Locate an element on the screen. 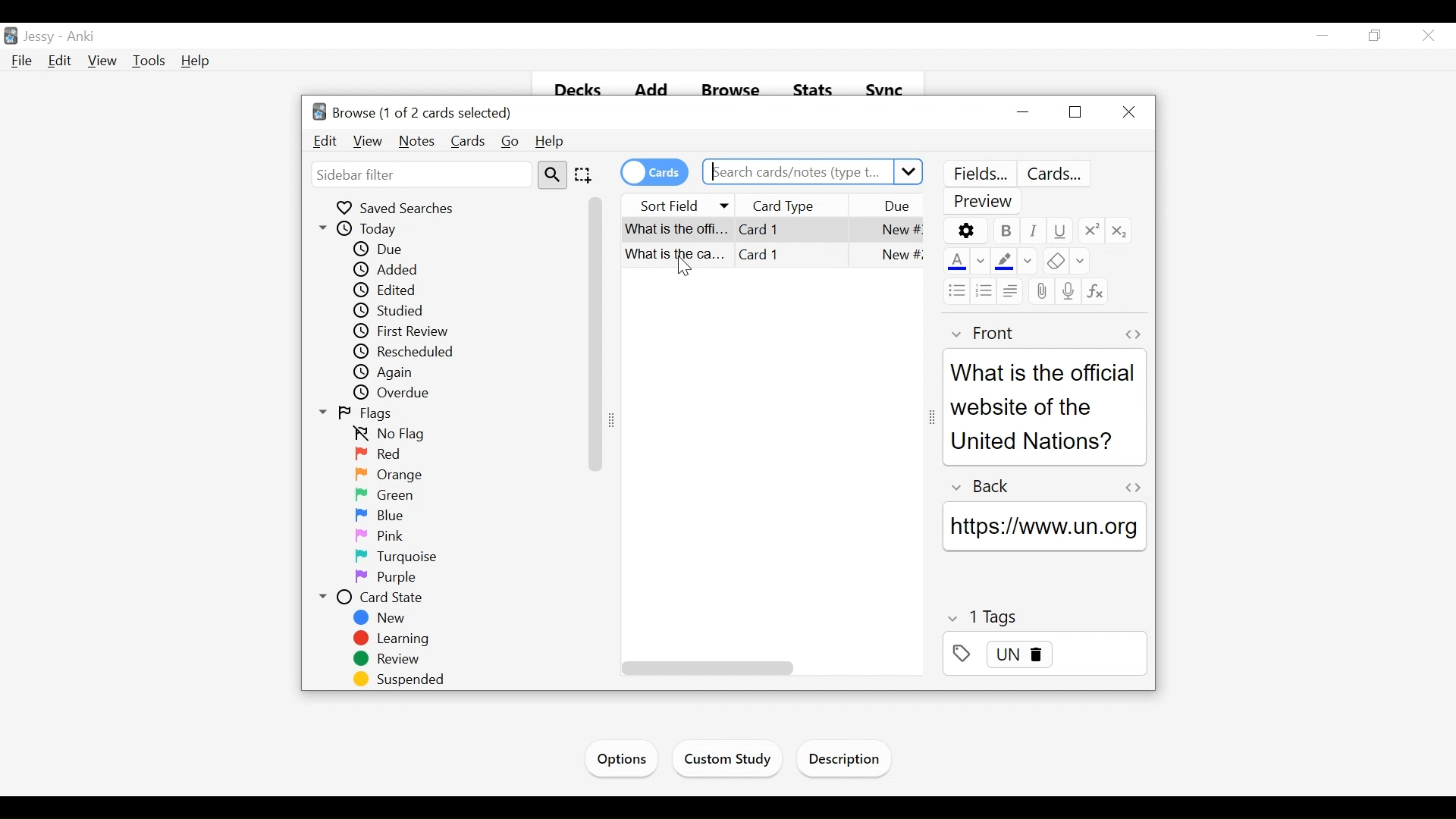 Image resolution: width=1456 pixels, height=819 pixels. Anki Desktop Icon is located at coordinates (11, 35).